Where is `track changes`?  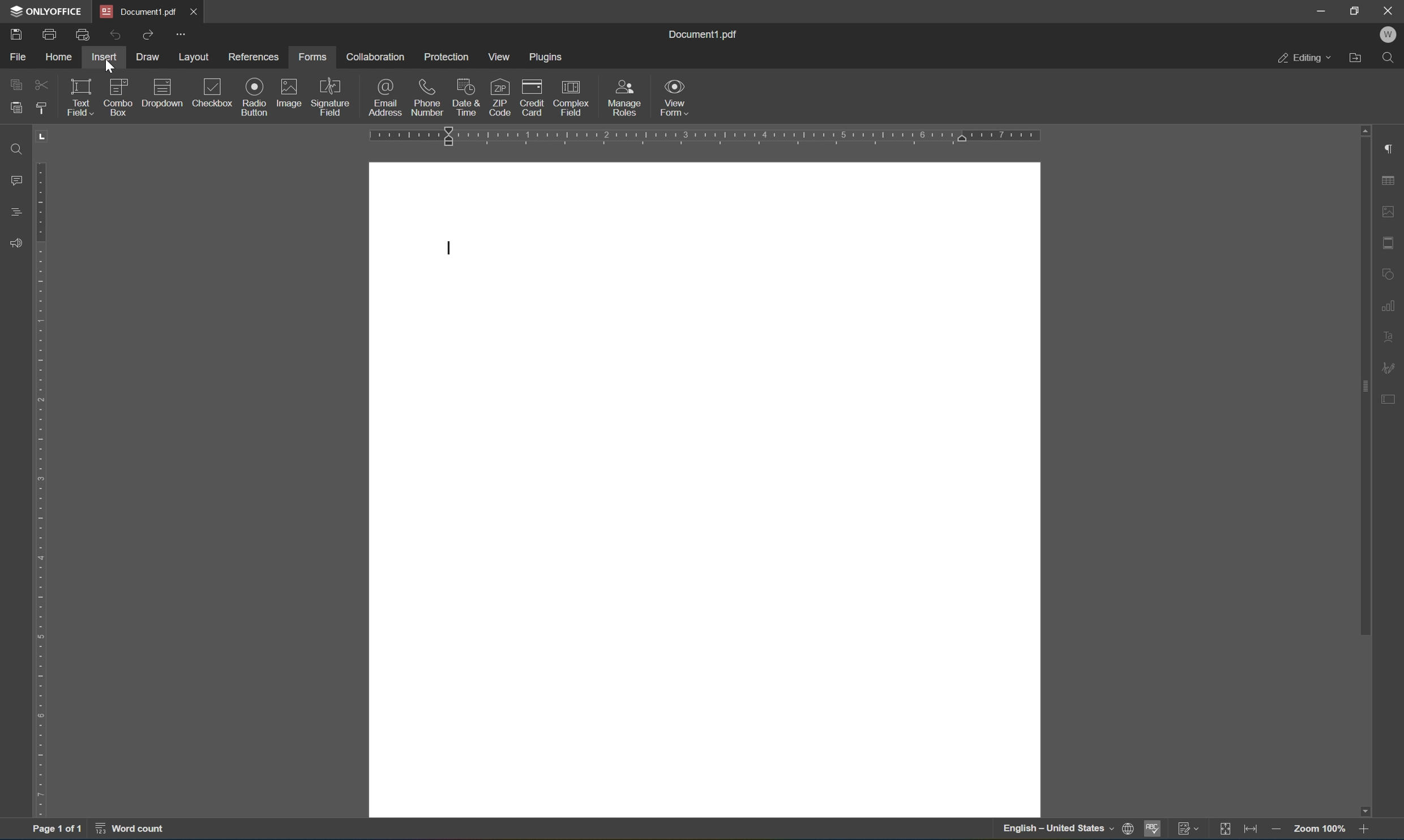 track changes is located at coordinates (1187, 829).